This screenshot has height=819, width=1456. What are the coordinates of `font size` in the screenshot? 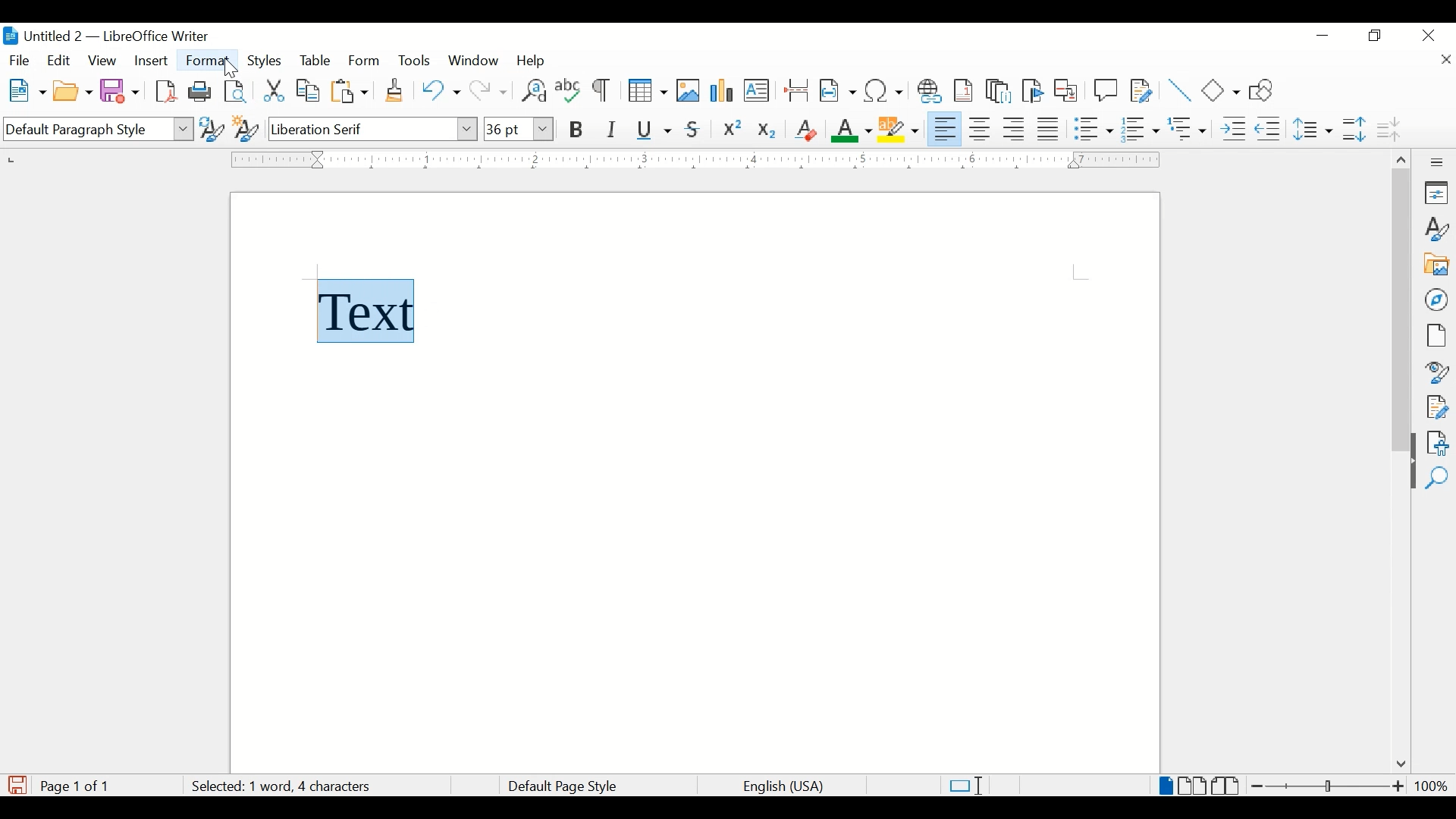 It's located at (518, 128).